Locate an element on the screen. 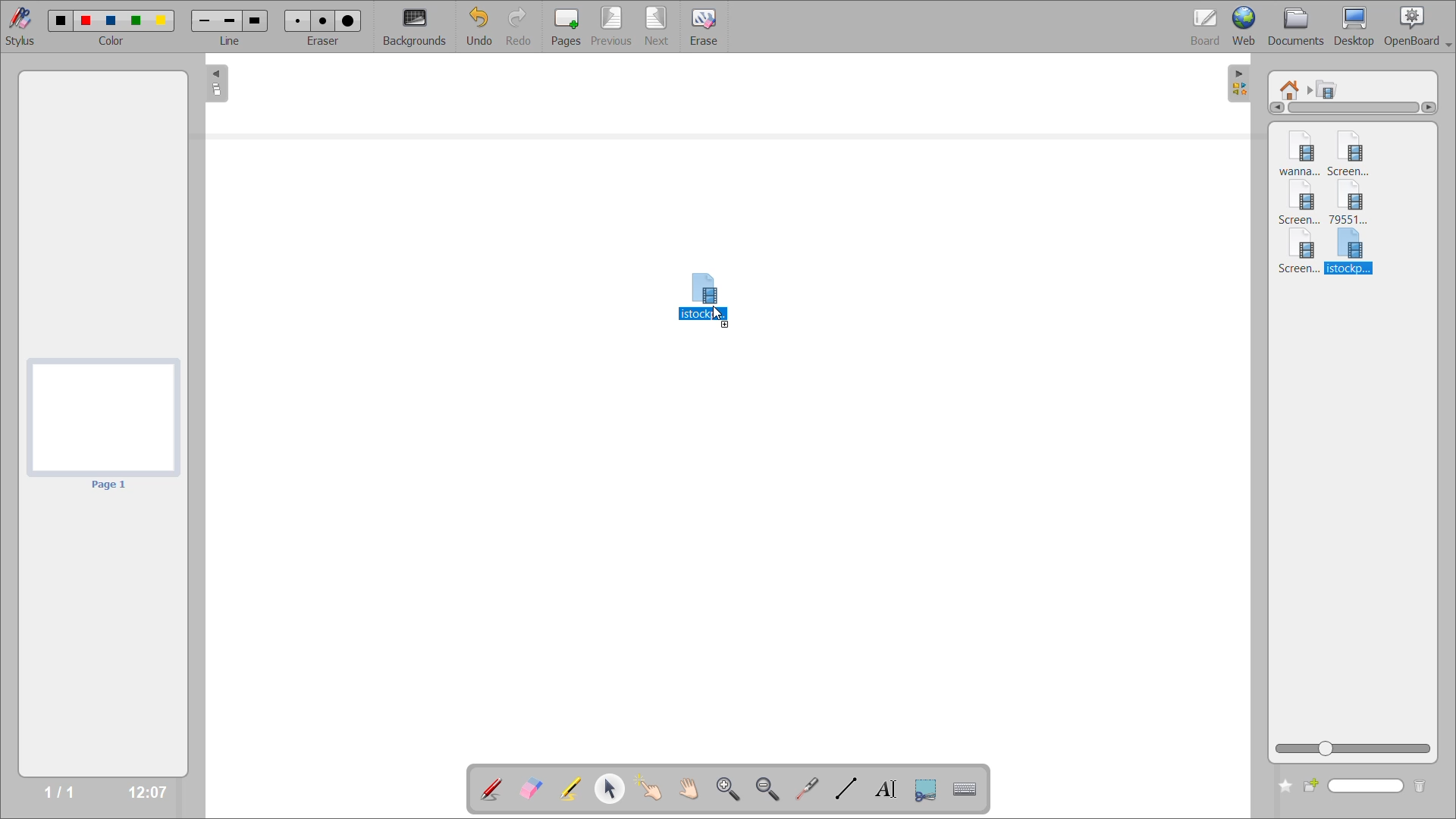 This screenshot has height=819, width=1456. Small line is located at coordinates (203, 20).